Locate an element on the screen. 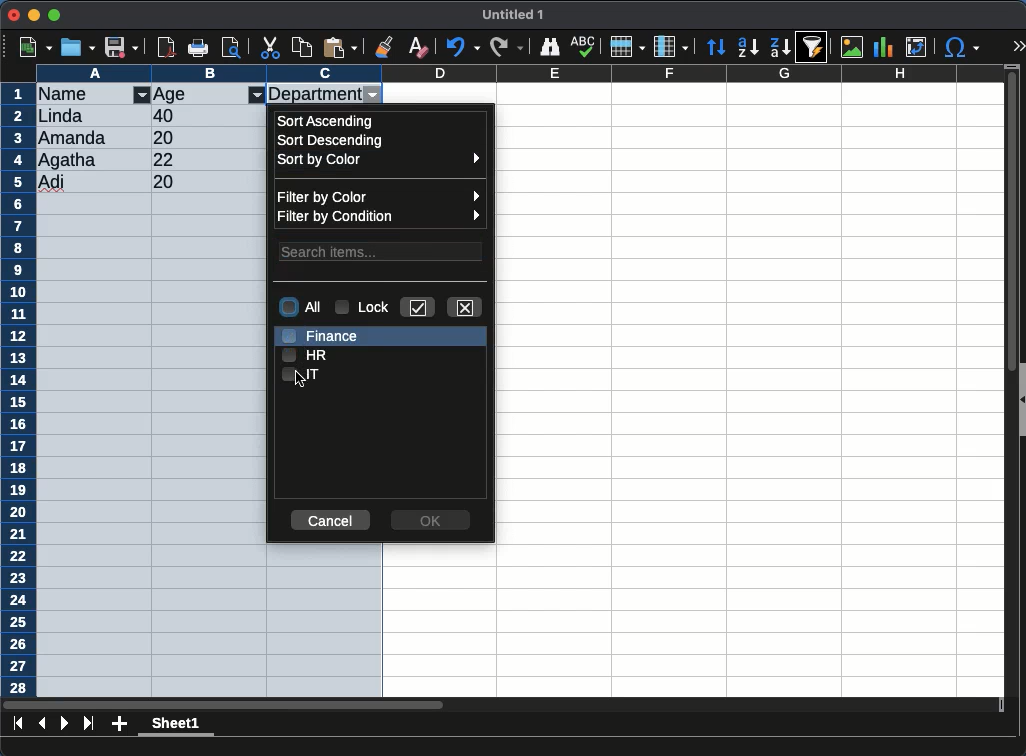  page preview is located at coordinates (235, 47).